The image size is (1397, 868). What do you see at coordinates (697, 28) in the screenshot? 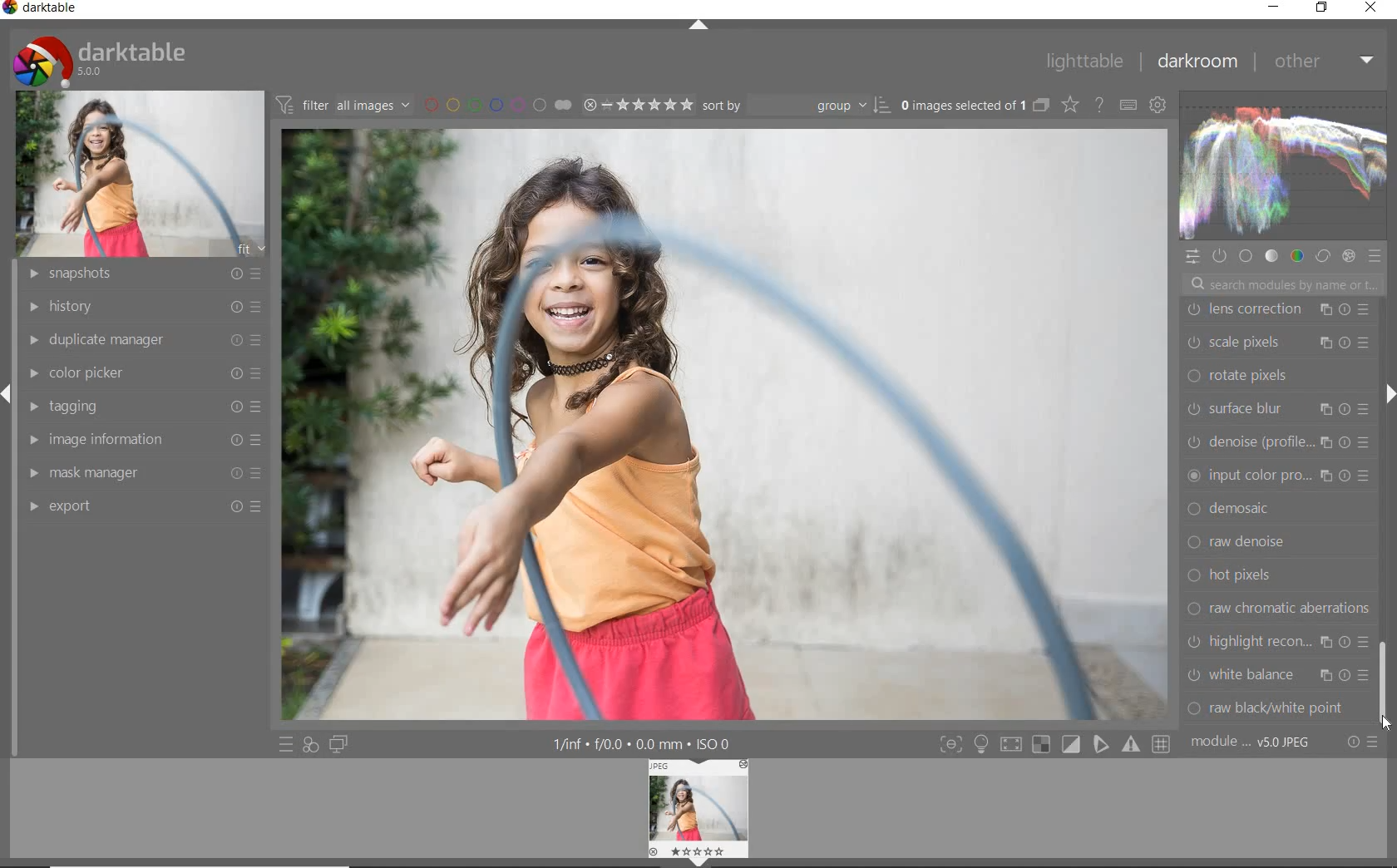
I see `expand / collapse` at bounding box center [697, 28].